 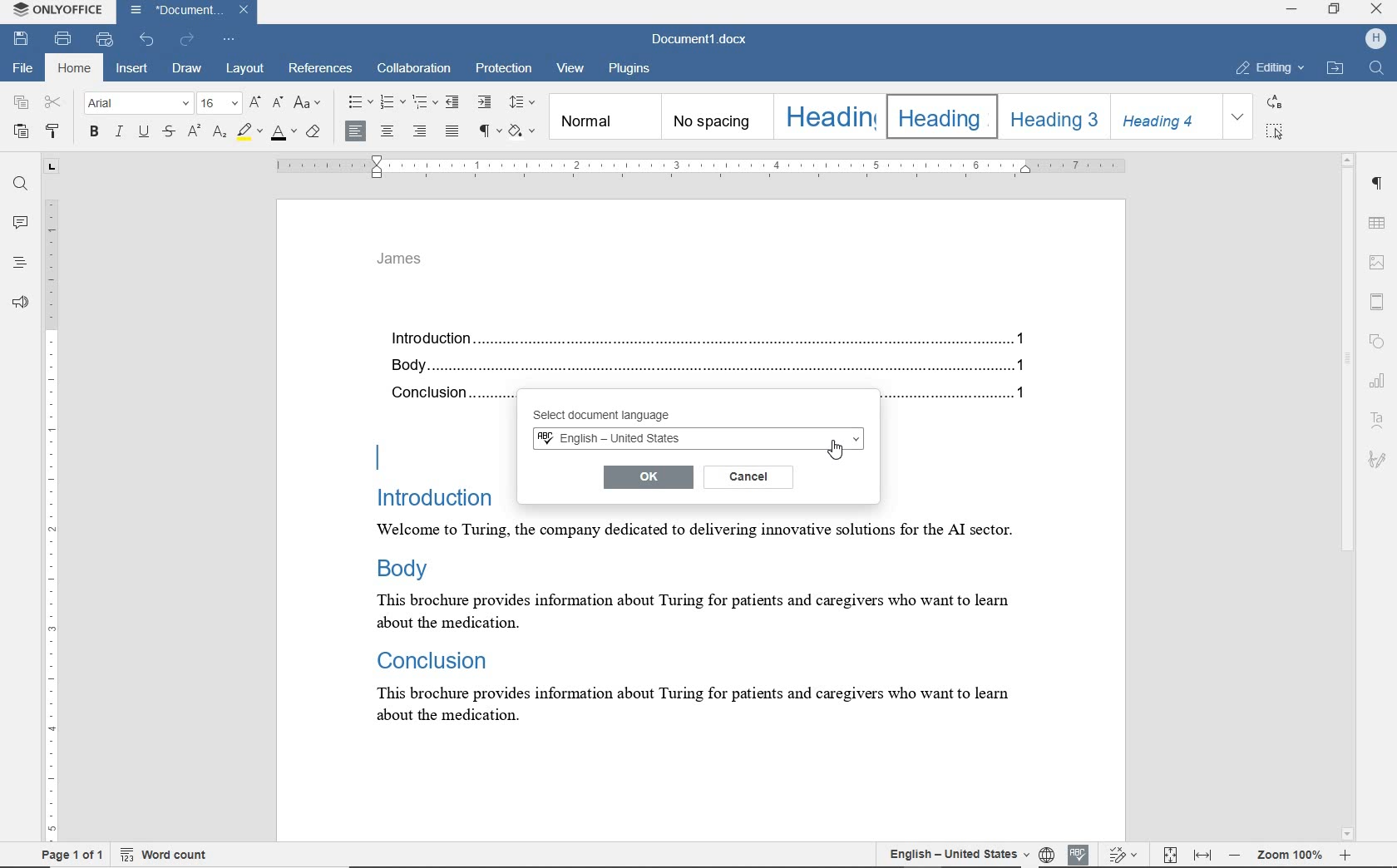 I want to click on bold, so click(x=93, y=133).